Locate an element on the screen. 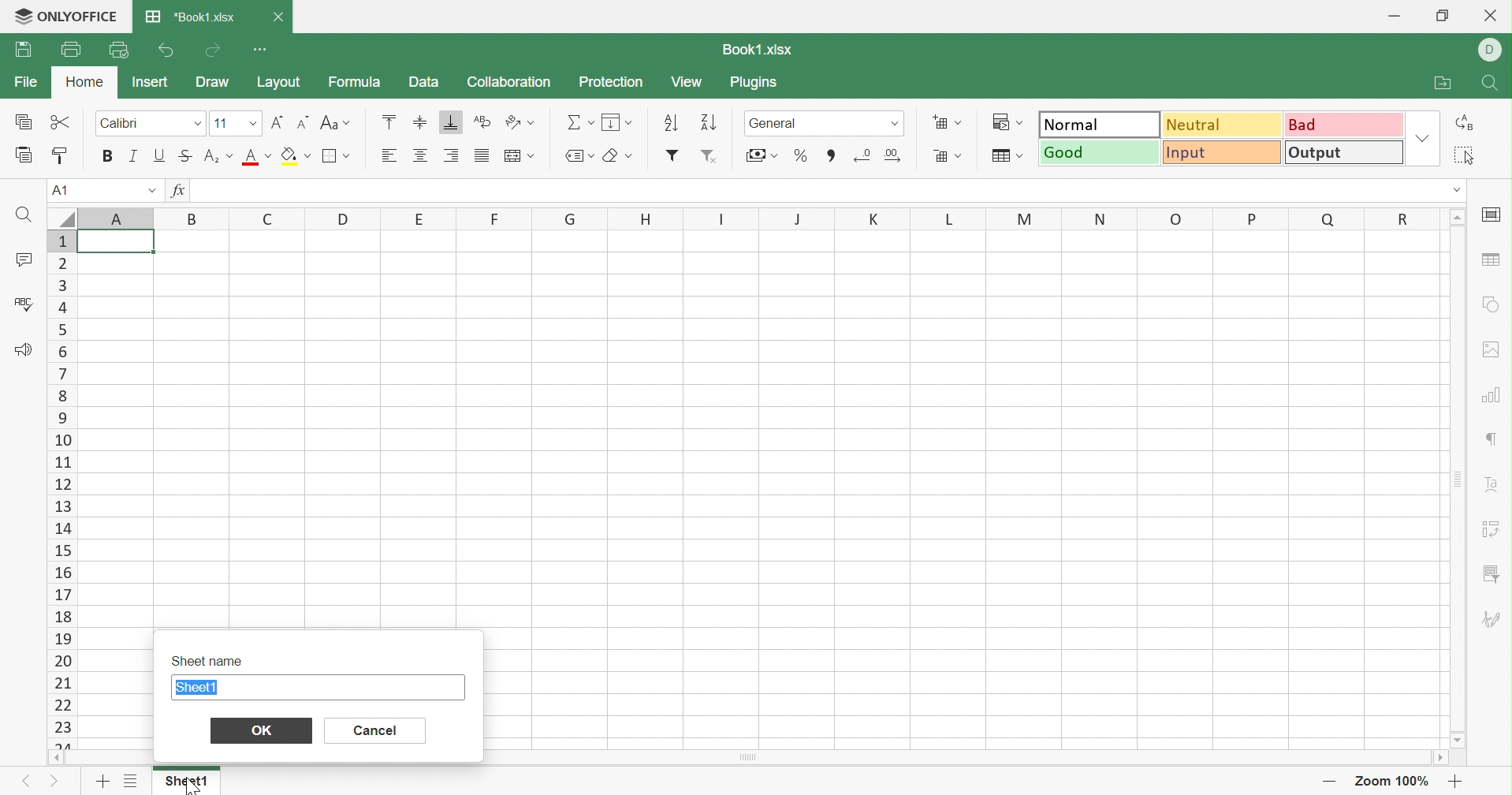 The image size is (1512, 795). Wrap Text is located at coordinates (481, 121).